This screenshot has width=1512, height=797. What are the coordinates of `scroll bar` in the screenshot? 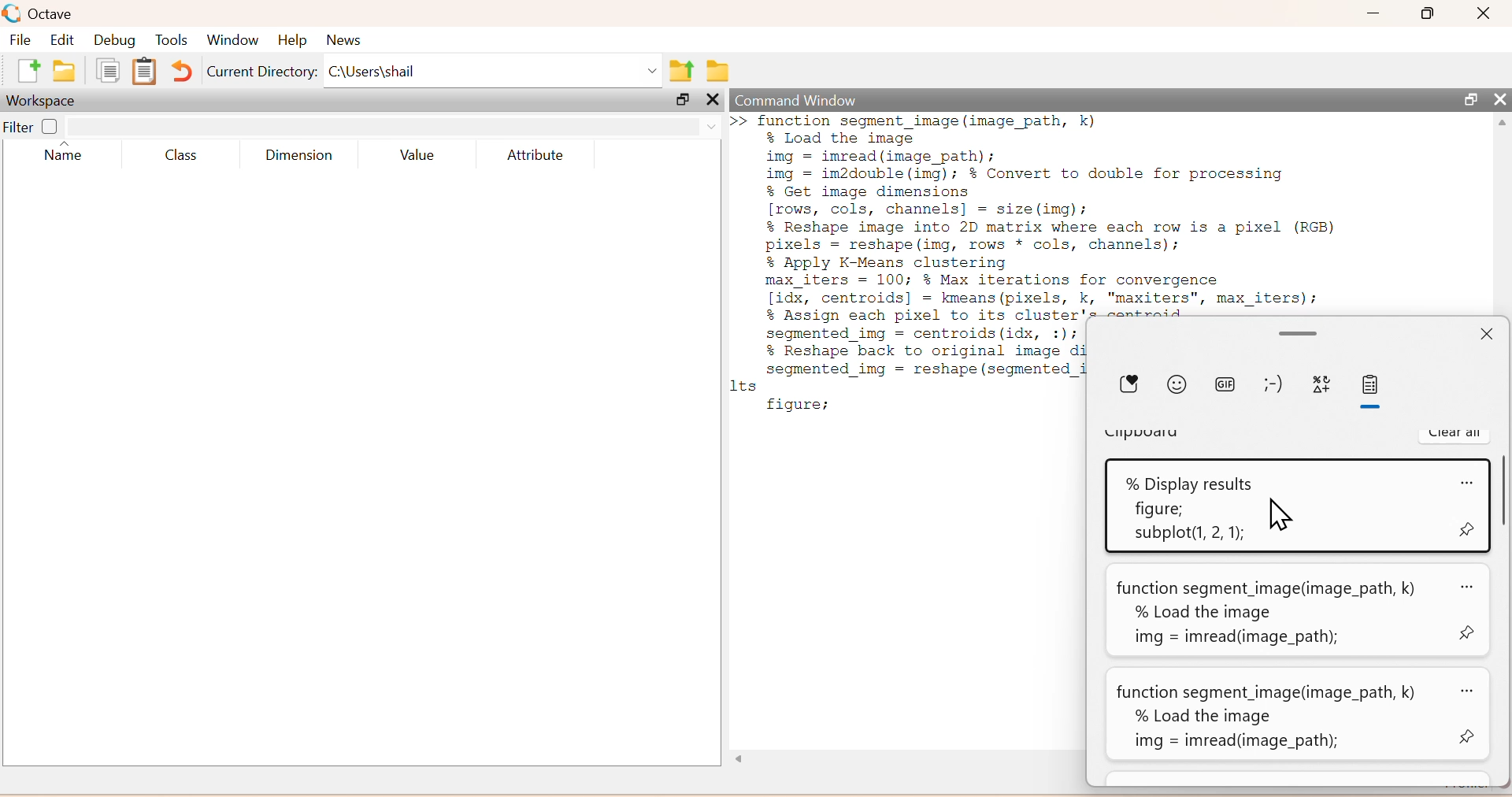 It's located at (1502, 499).